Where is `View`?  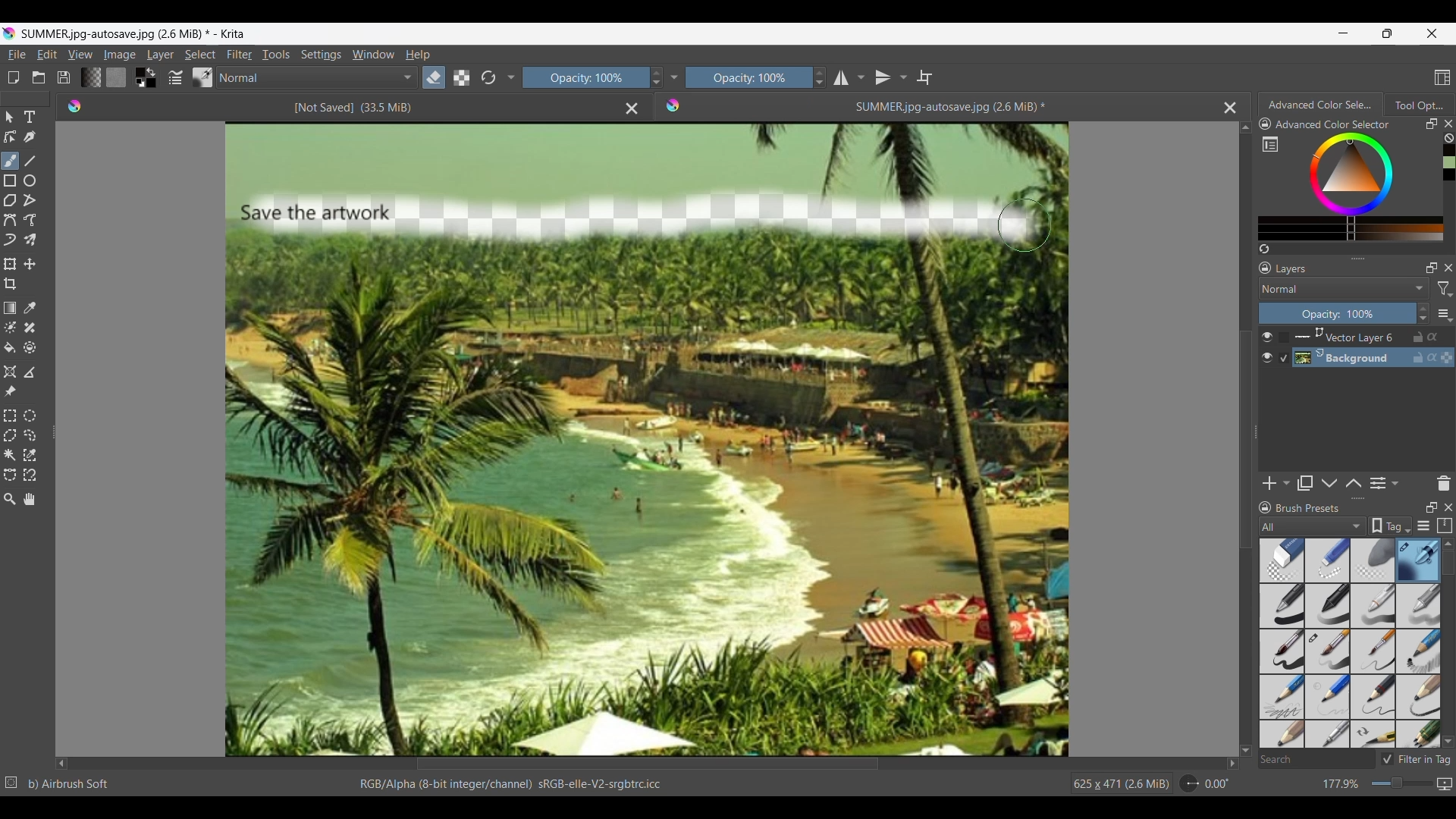 View is located at coordinates (81, 54).